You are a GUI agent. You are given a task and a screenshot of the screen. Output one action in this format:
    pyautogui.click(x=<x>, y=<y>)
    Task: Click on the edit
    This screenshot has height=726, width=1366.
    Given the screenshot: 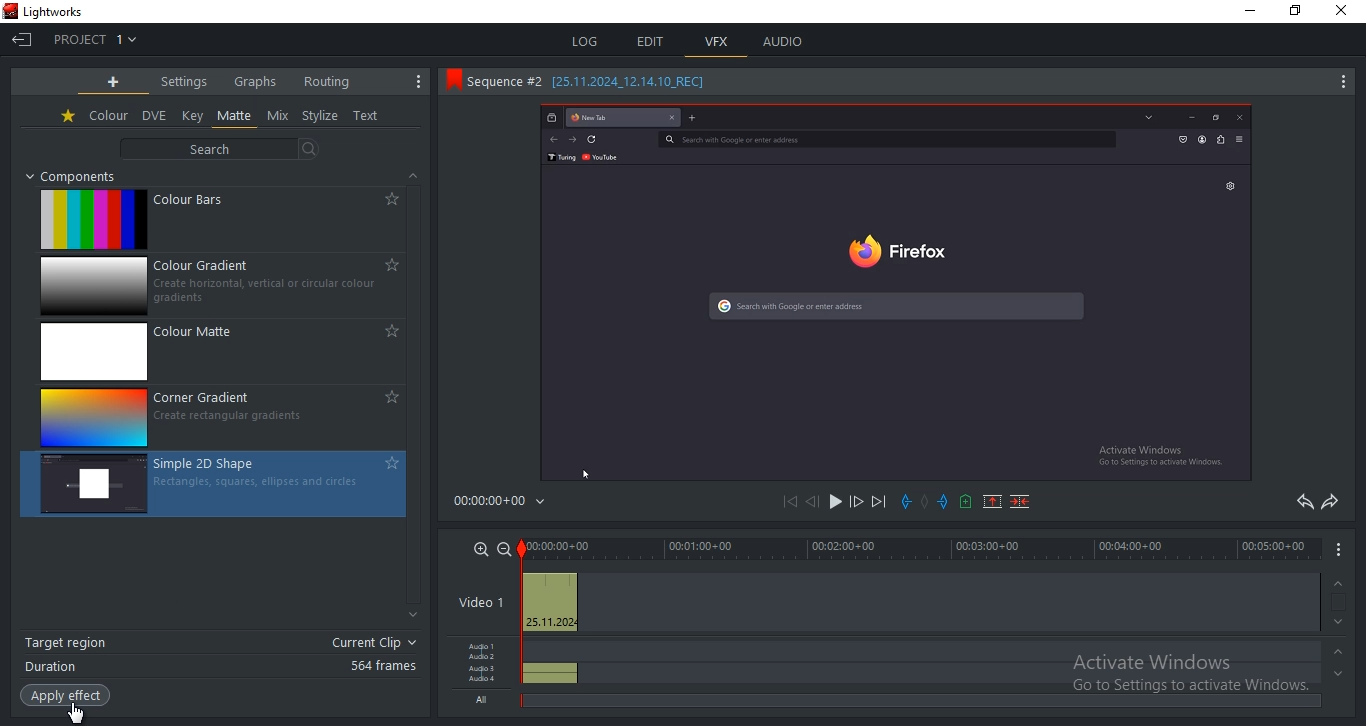 What is the action you would take?
    pyautogui.click(x=652, y=41)
    